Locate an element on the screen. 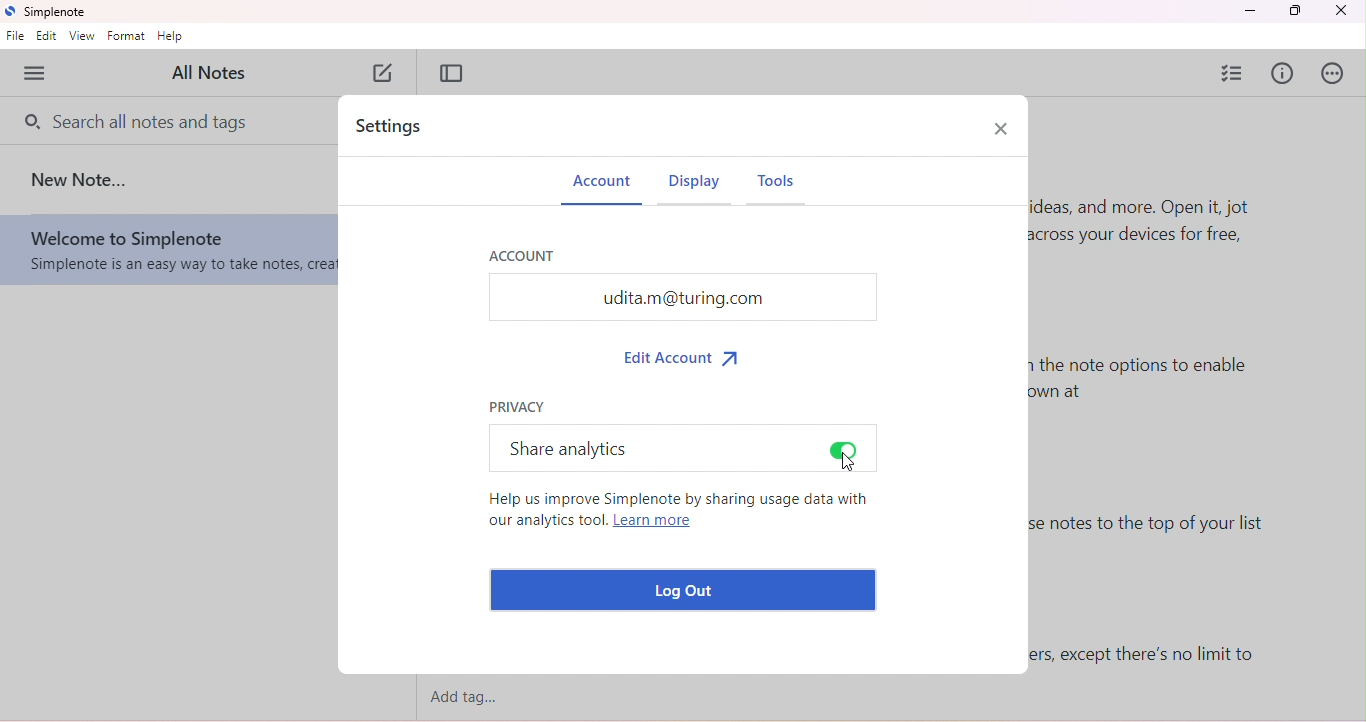  menu is located at coordinates (37, 74).